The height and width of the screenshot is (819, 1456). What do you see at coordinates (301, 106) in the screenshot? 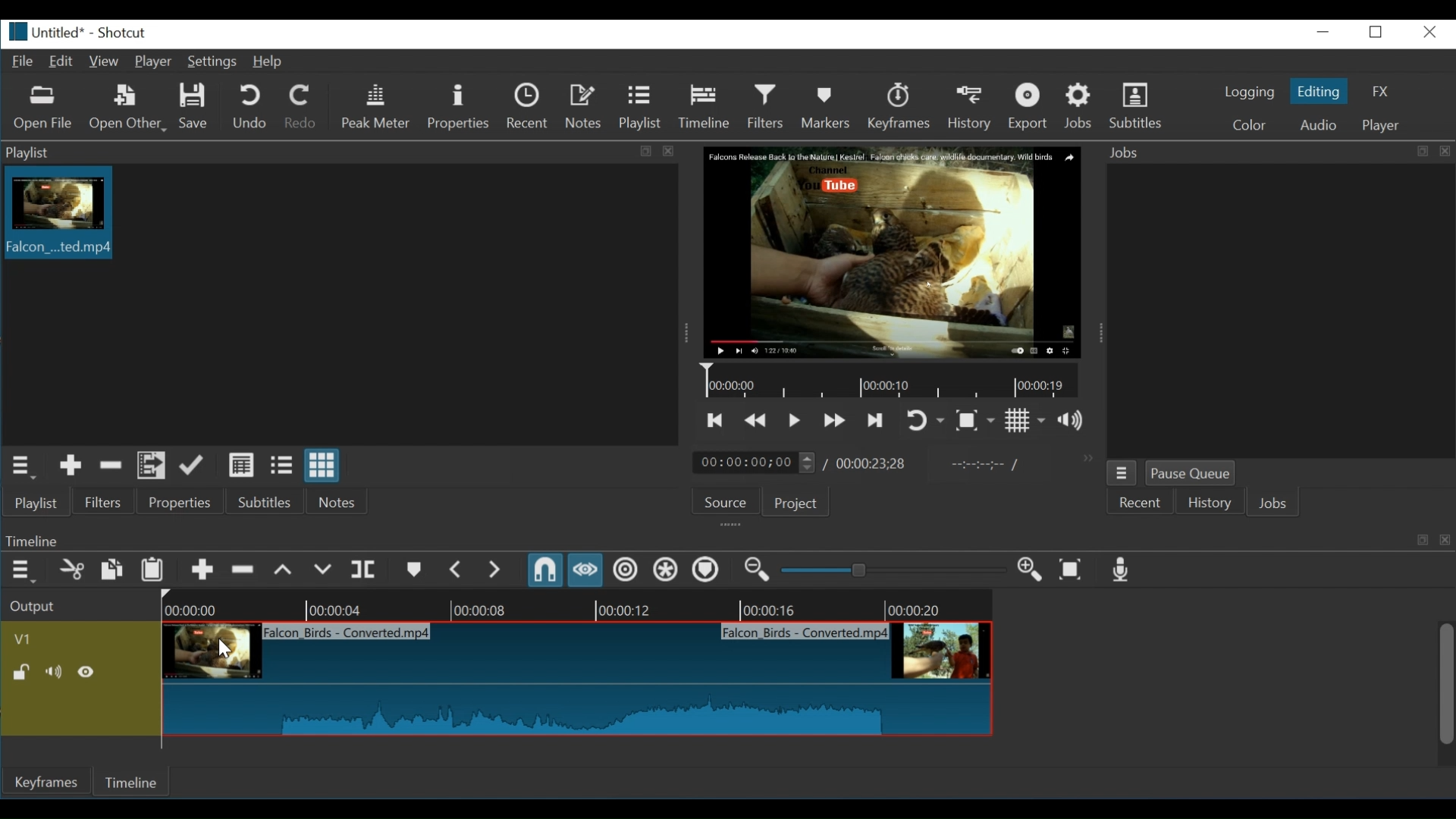
I see `Redo` at bounding box center [301, 106].